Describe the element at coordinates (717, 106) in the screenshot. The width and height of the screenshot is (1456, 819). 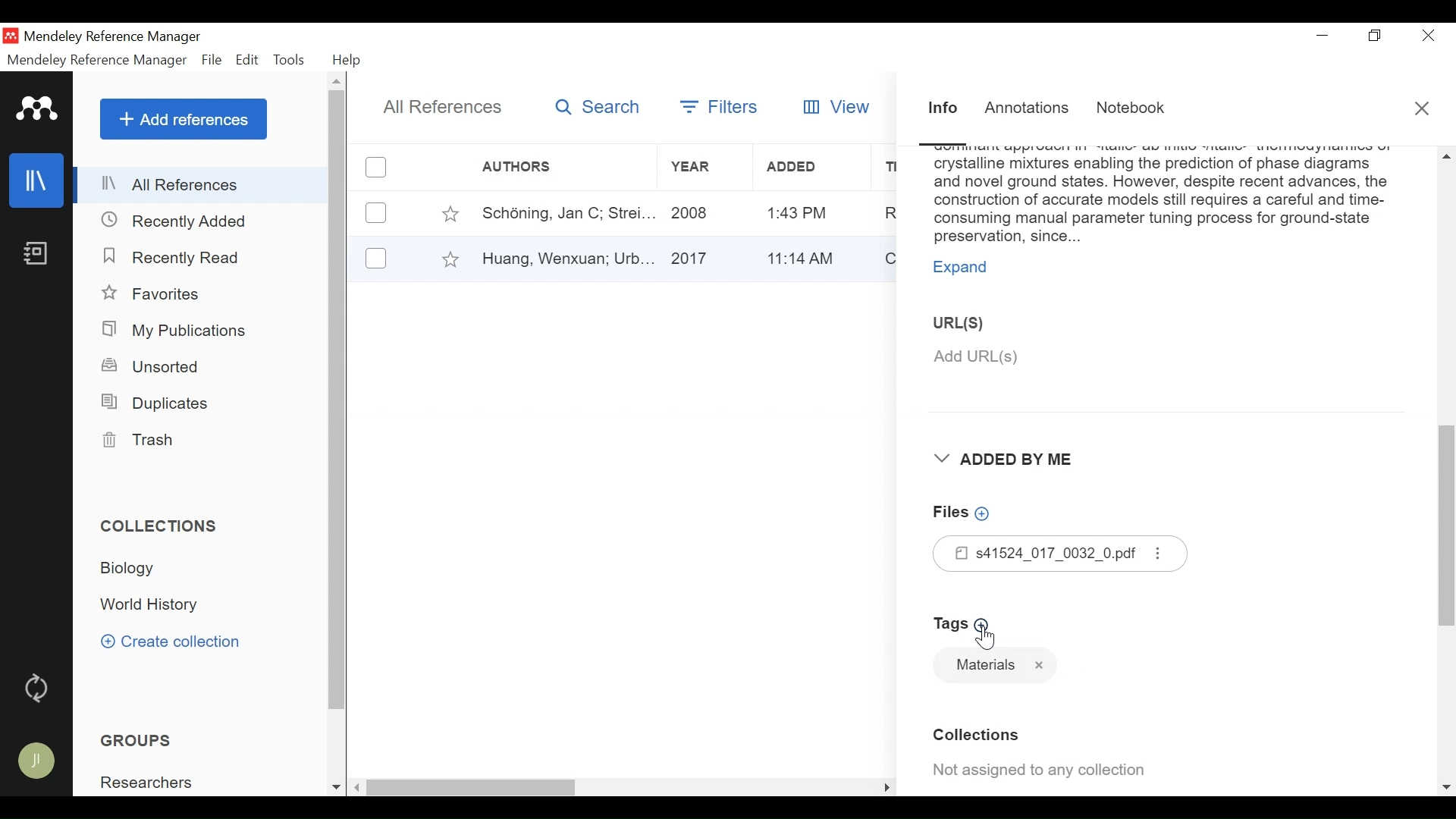
I see `Filters` at that location.